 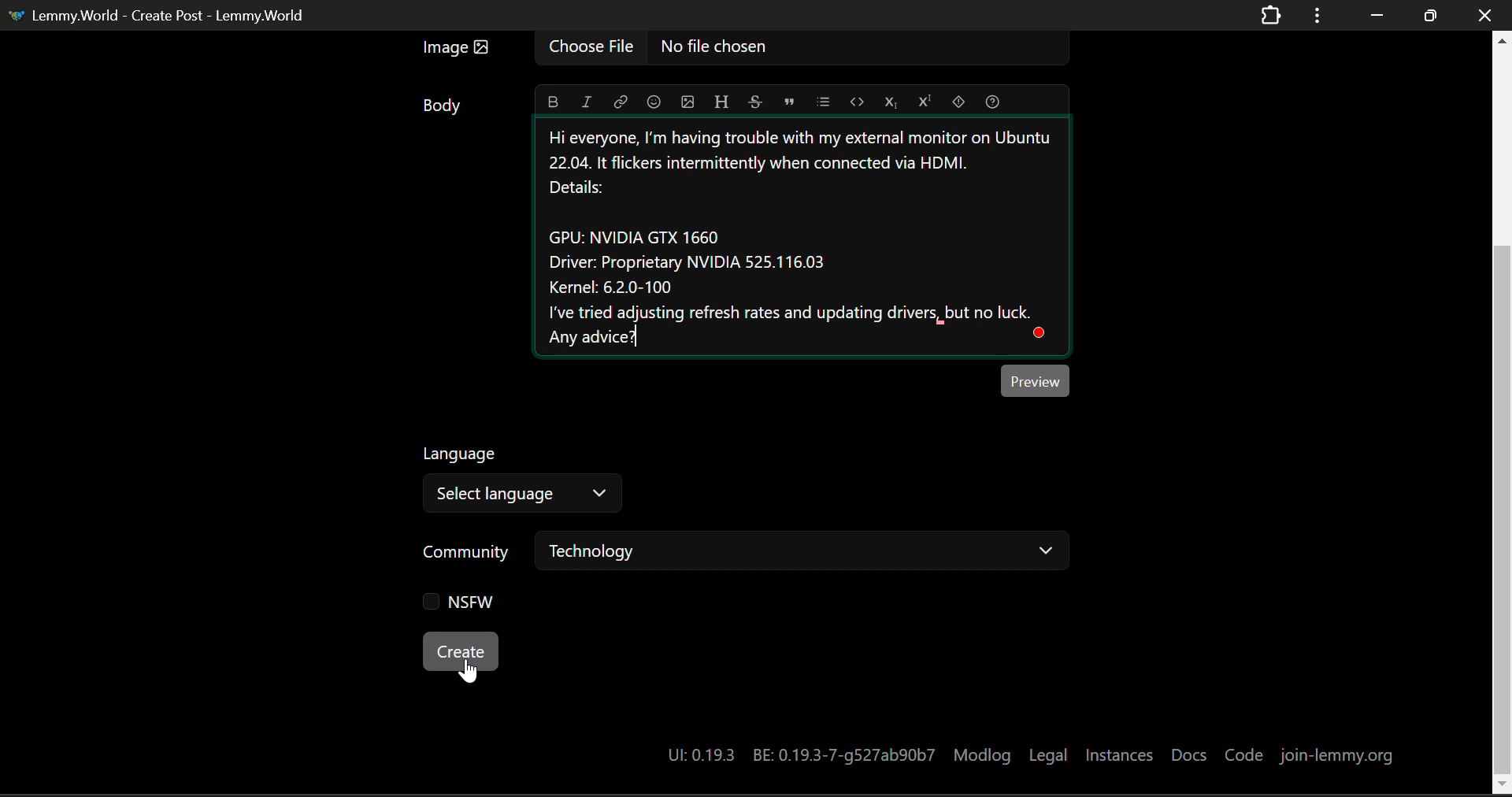 What do you see at coordinates (812, 241) in the screenshot?
I see `External Monitor Help Needed Text` at bounding box center [812, 241].